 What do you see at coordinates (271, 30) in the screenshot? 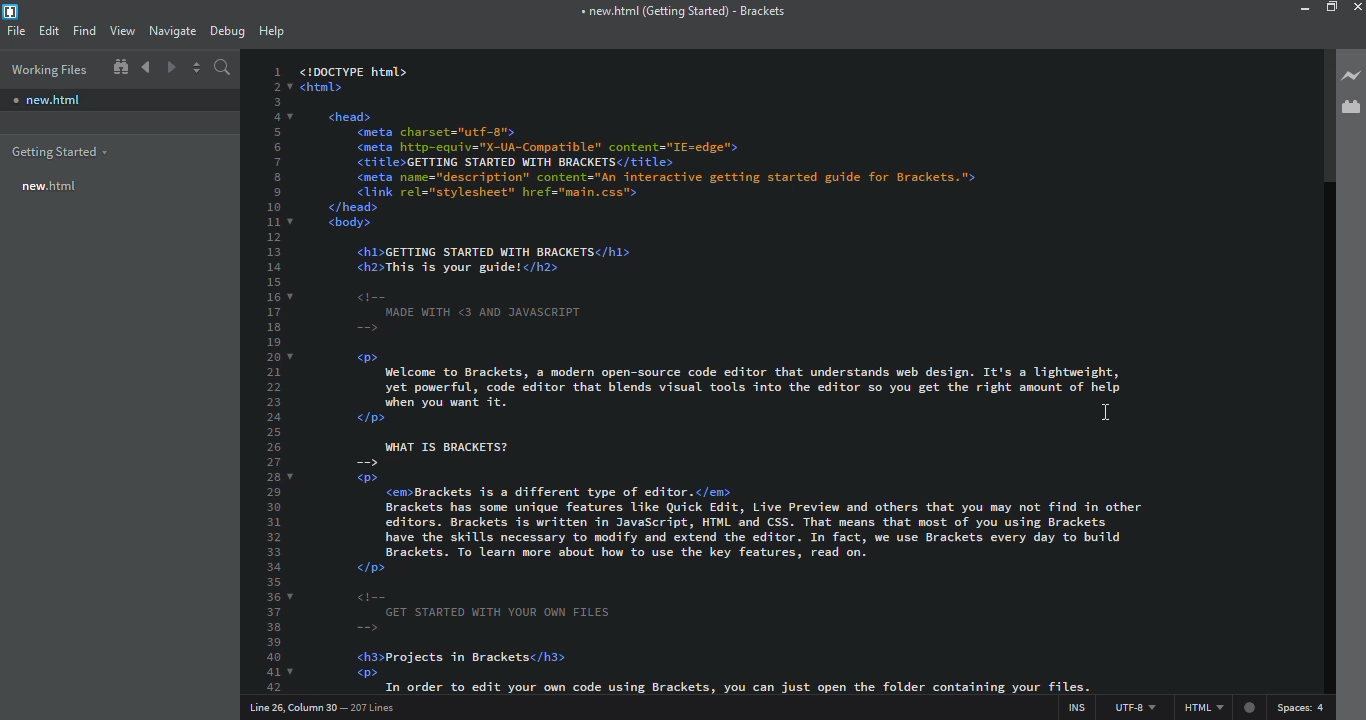
I see `help` at bounding box center [271, 30].